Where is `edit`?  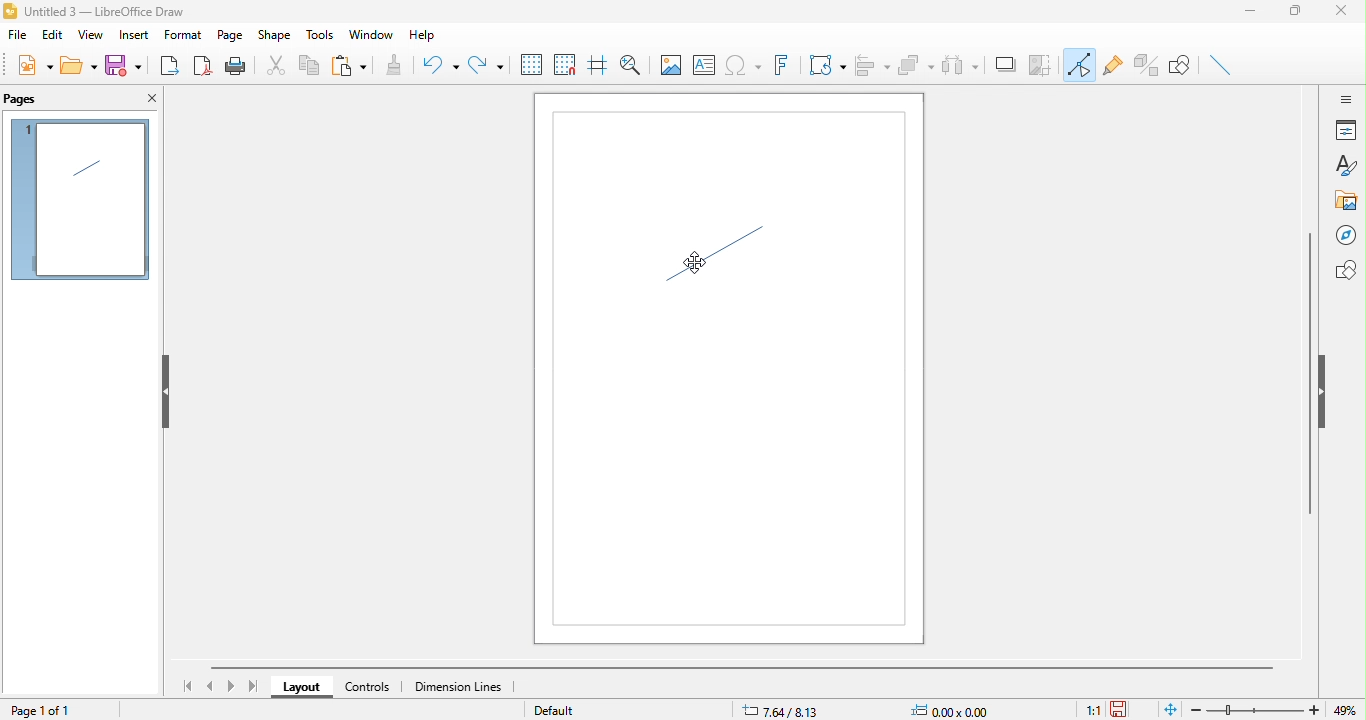 edit is located at coordinates (53, 38).